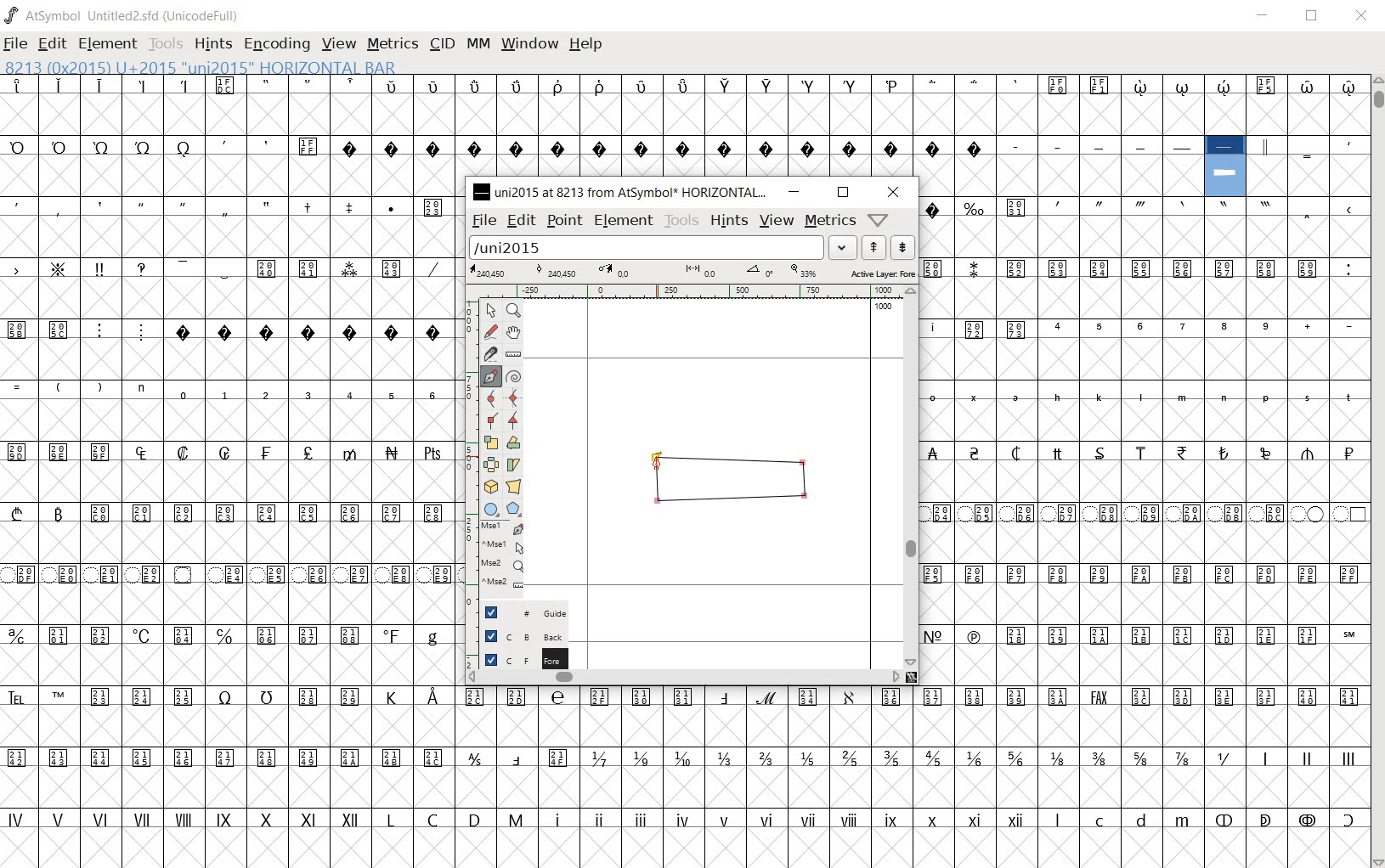  I want to click on element, so click(625, 220).